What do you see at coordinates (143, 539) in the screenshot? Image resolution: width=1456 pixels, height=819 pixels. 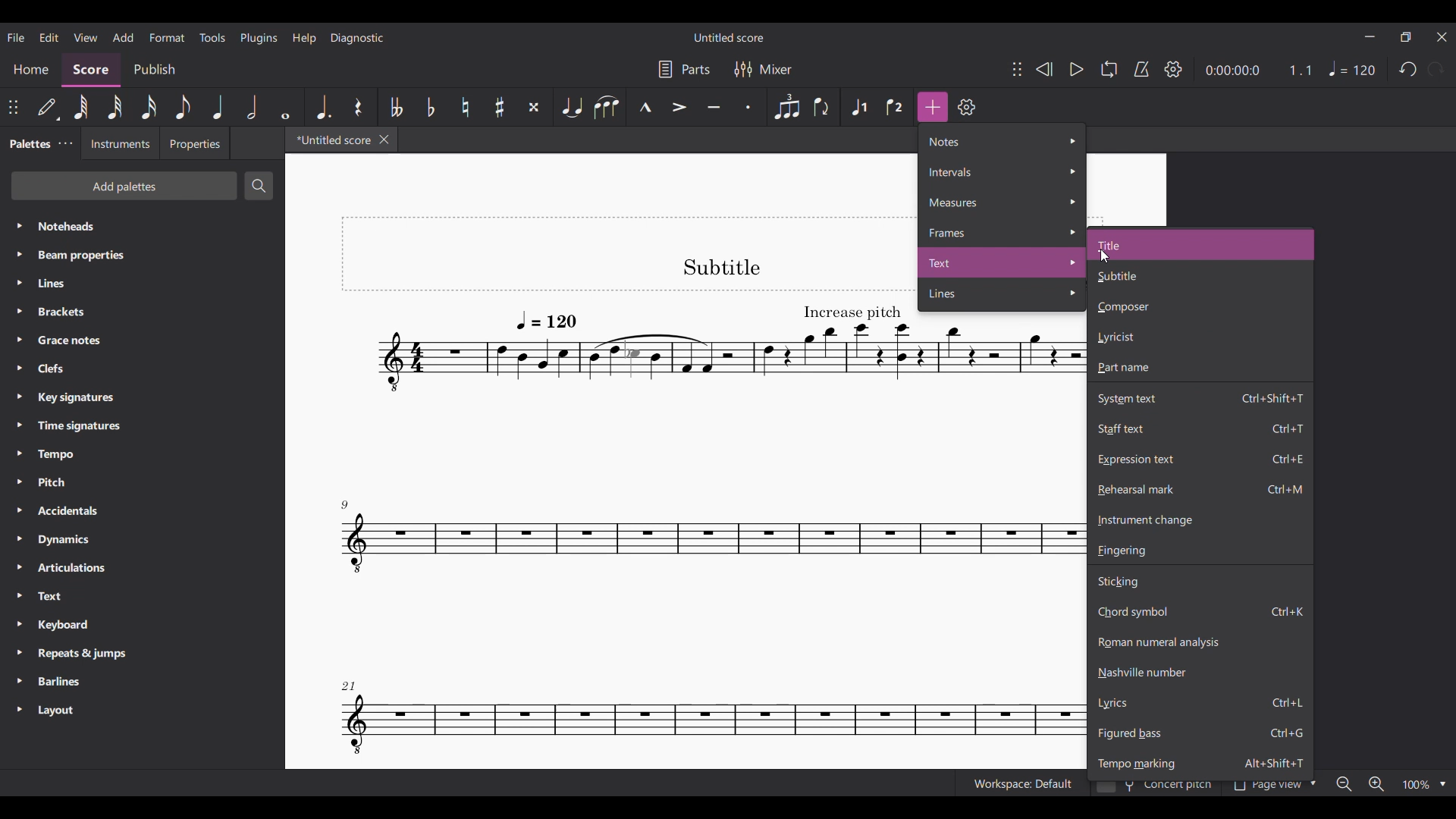 I see `Dynamics` at bounding box center [143, 539].